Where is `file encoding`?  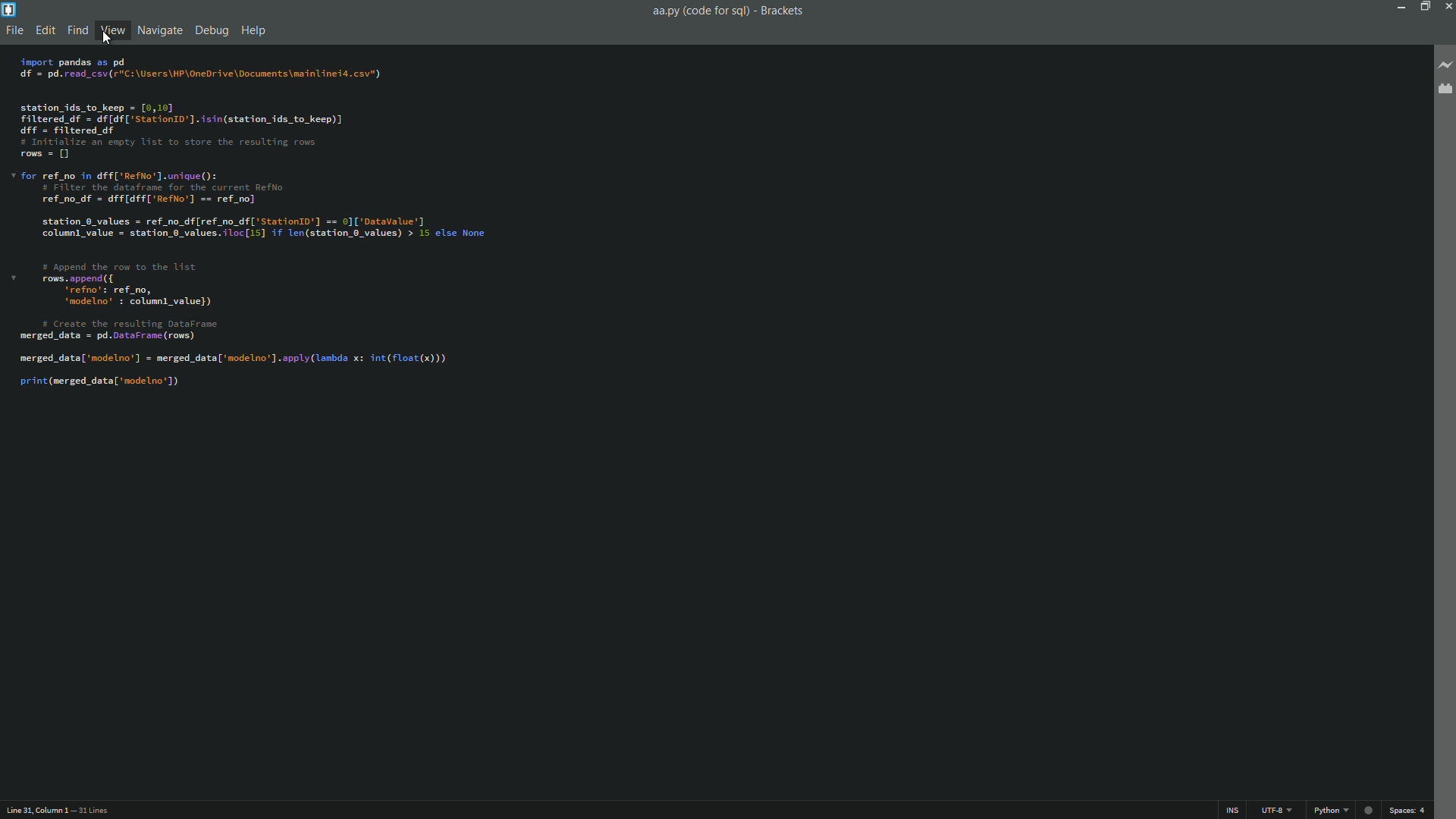 file encoding is located at coordinates (1277, 810).